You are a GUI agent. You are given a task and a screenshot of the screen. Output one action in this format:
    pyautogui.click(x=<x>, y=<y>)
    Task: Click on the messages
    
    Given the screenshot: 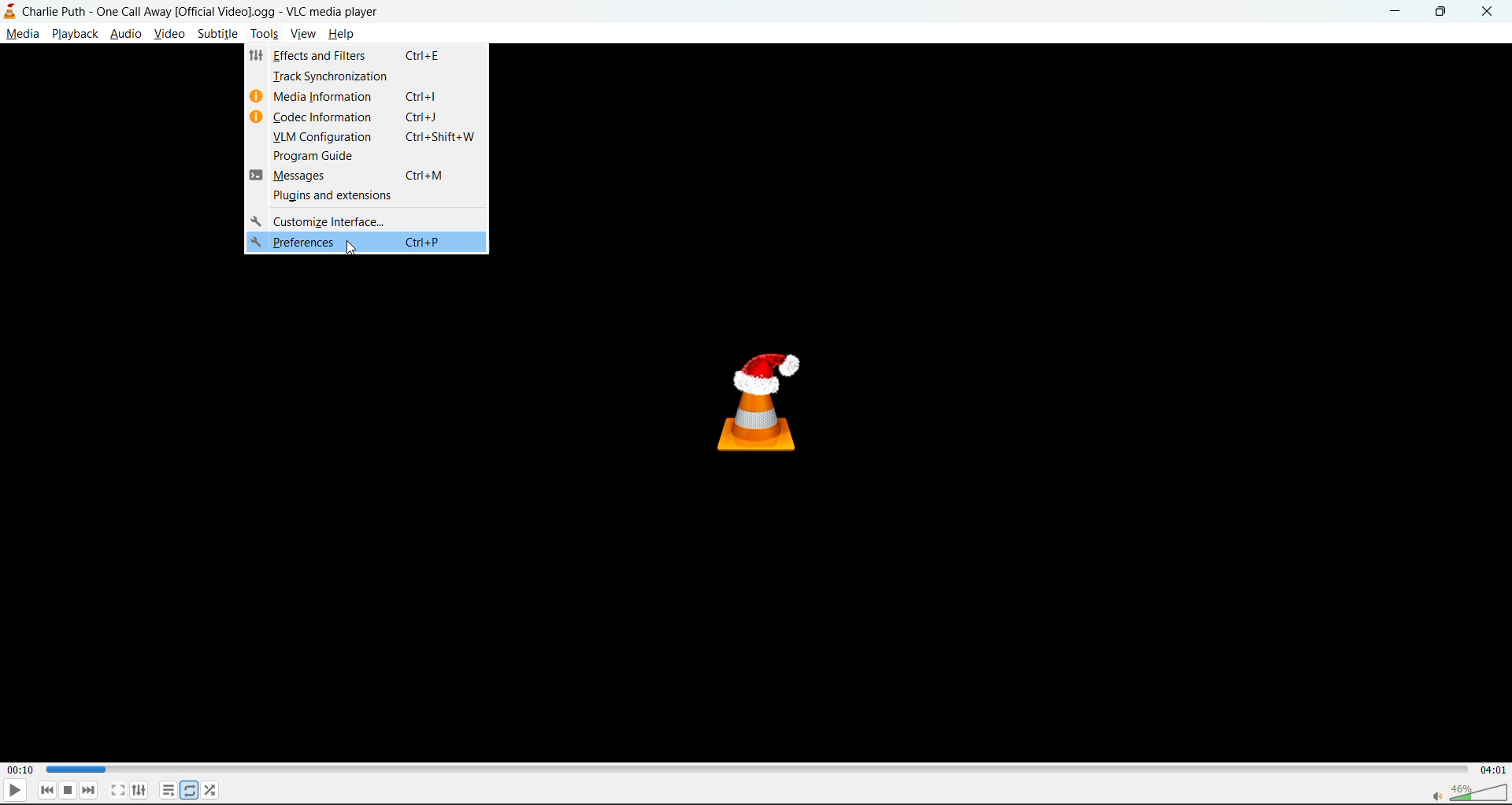 What is the action you would take?
    pyautogui.click(x=365, y=177)
    